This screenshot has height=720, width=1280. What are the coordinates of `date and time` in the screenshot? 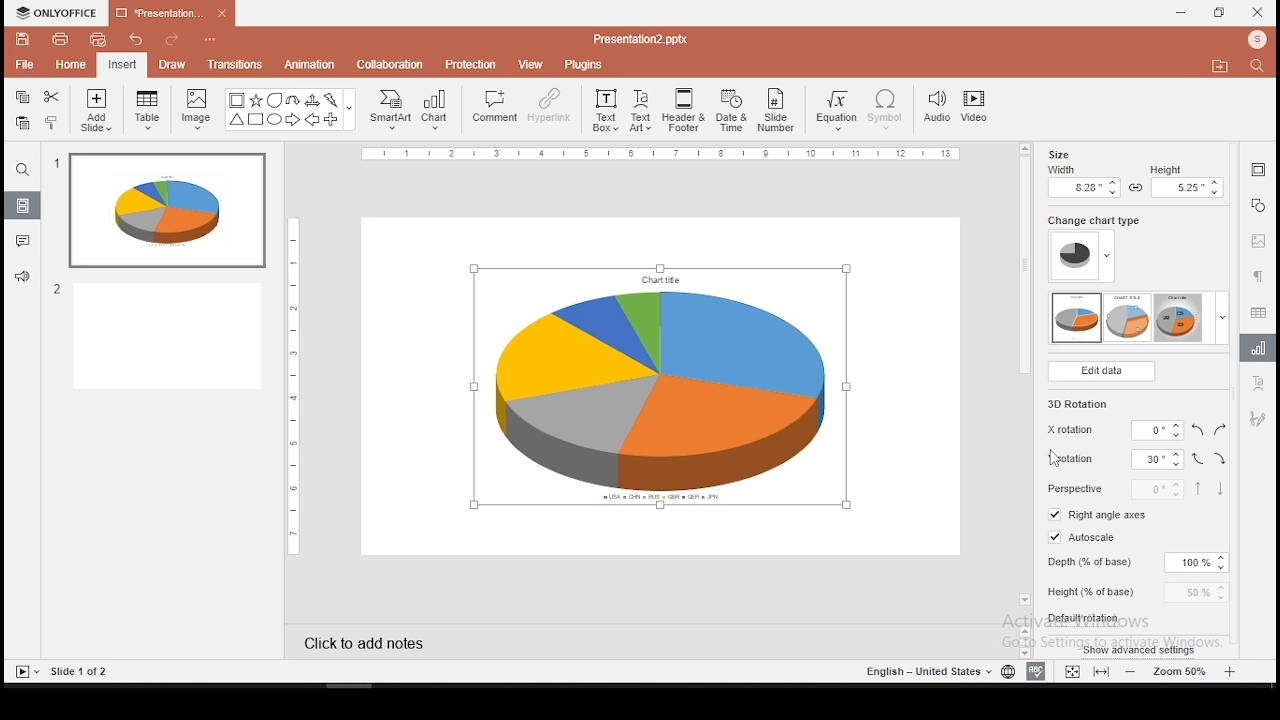 It's located at (730, 110).